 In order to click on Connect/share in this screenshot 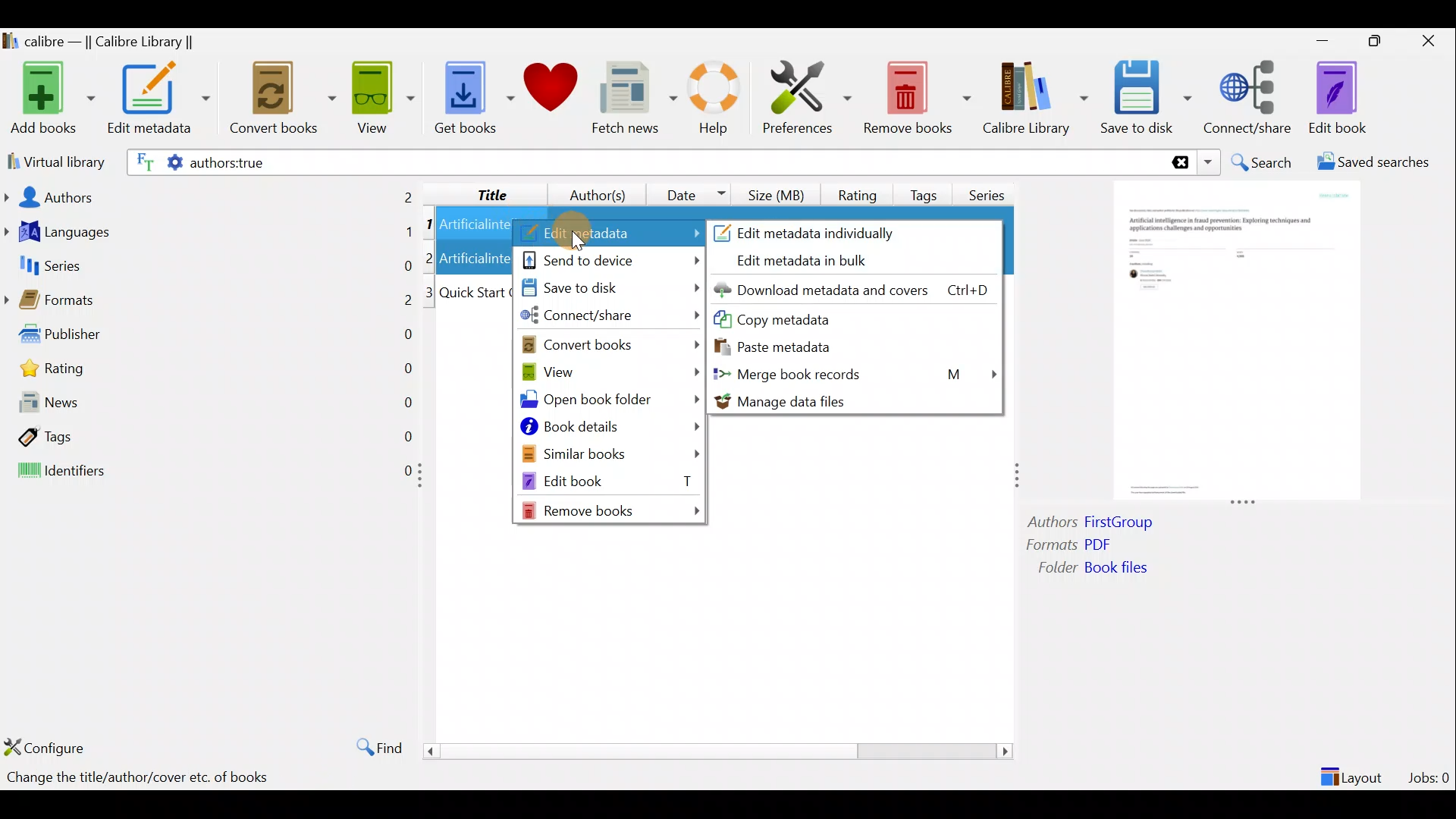, I will do `click(610, 318)`.